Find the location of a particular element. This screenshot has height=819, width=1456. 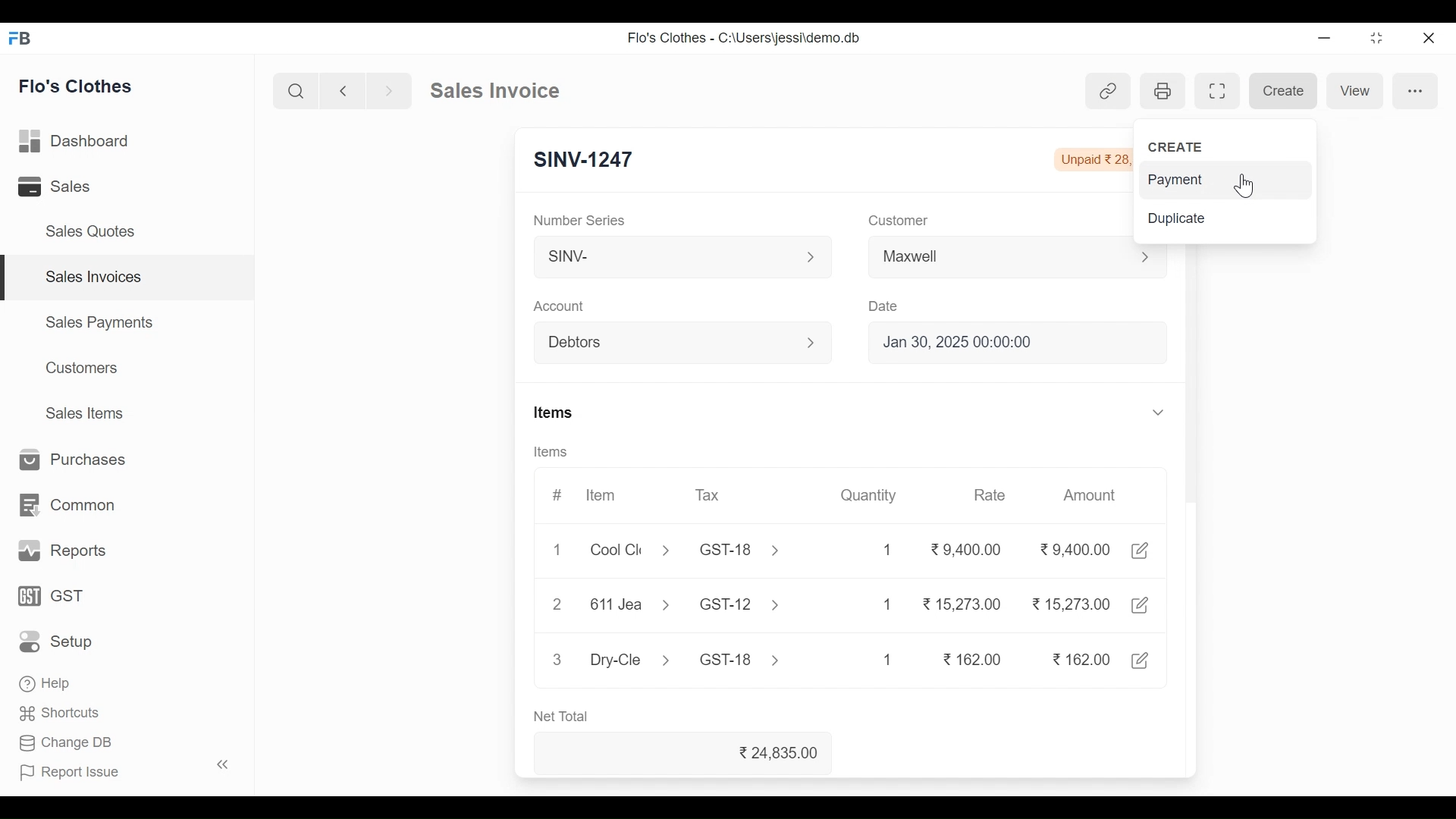

Search is located at coordinates (296, 91).